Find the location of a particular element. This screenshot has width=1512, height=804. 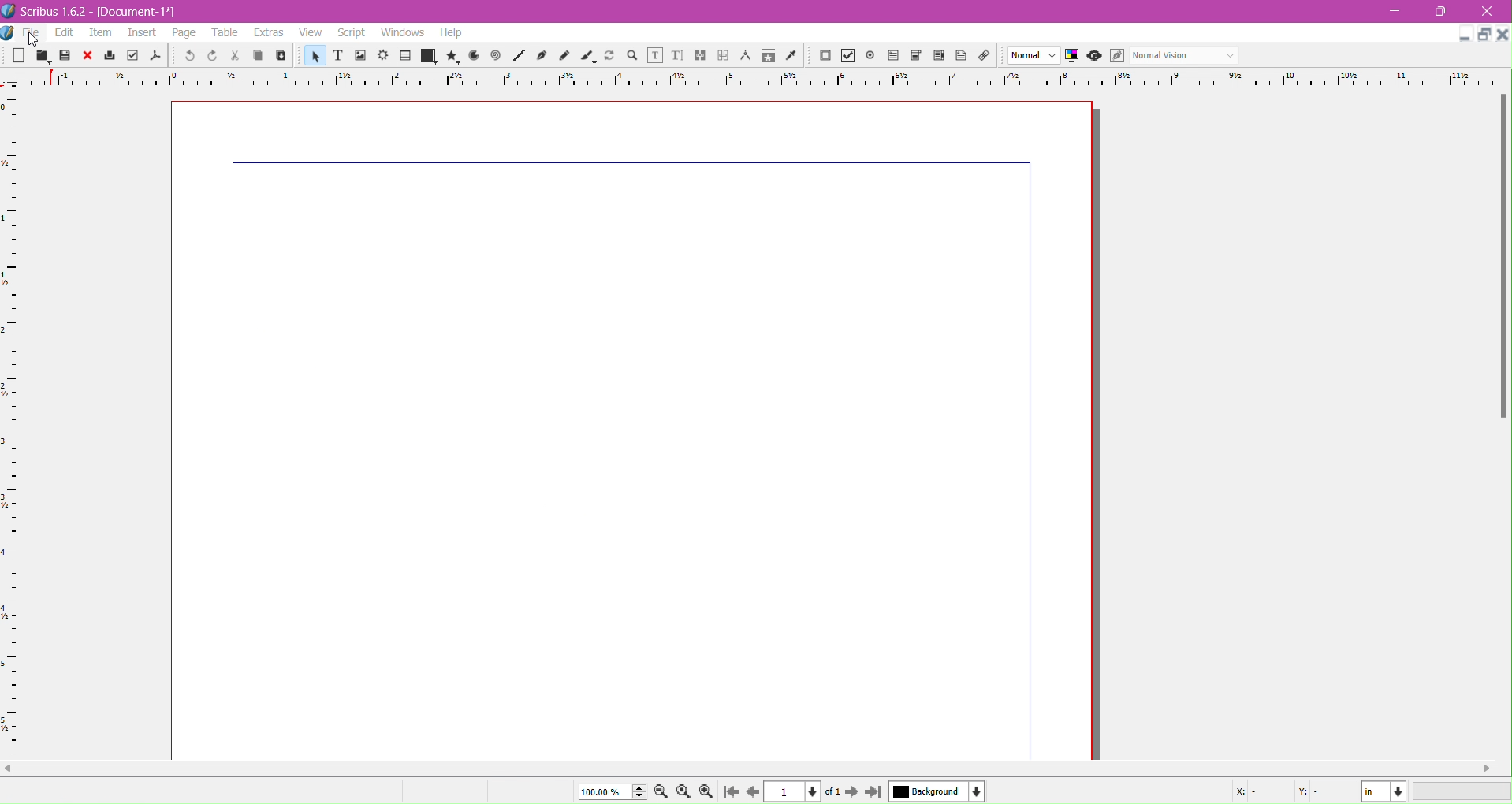

rotate item is located at coordinates (611, 57).